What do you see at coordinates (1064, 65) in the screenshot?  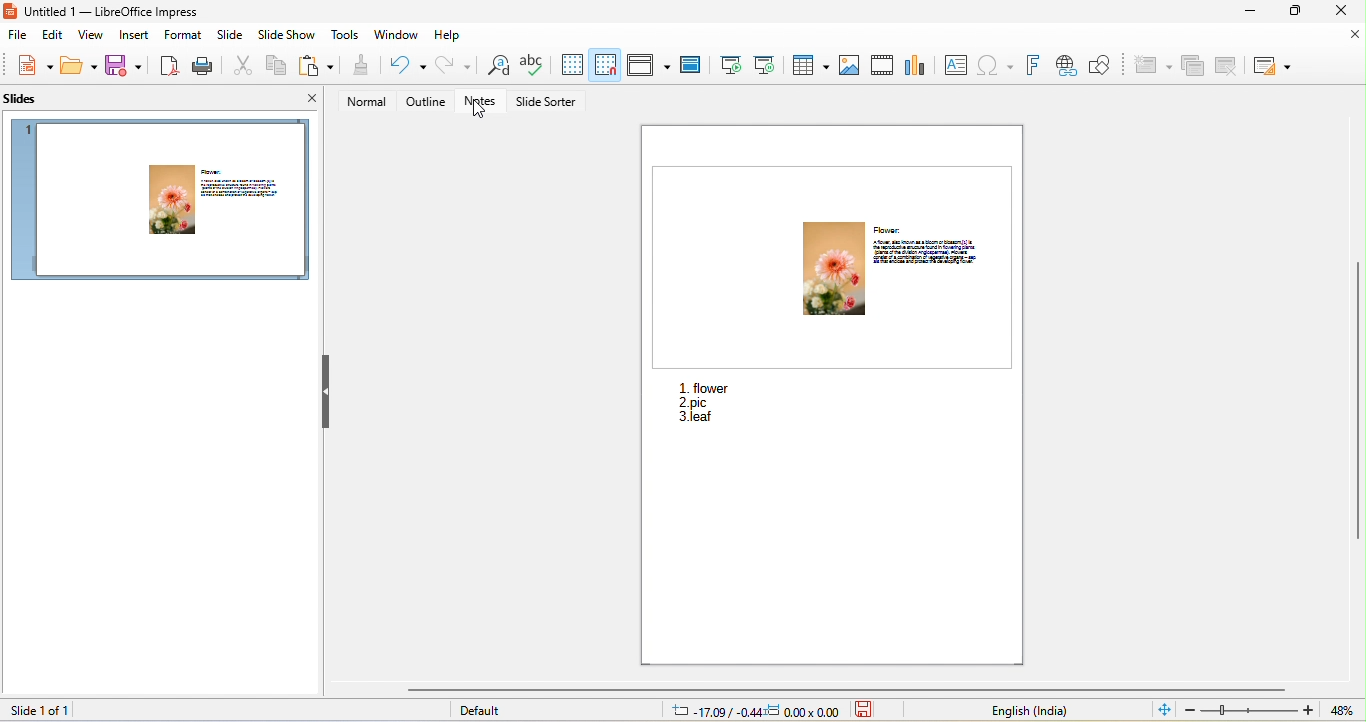 I see `hyperlink` at bounding box center [1064, 65].